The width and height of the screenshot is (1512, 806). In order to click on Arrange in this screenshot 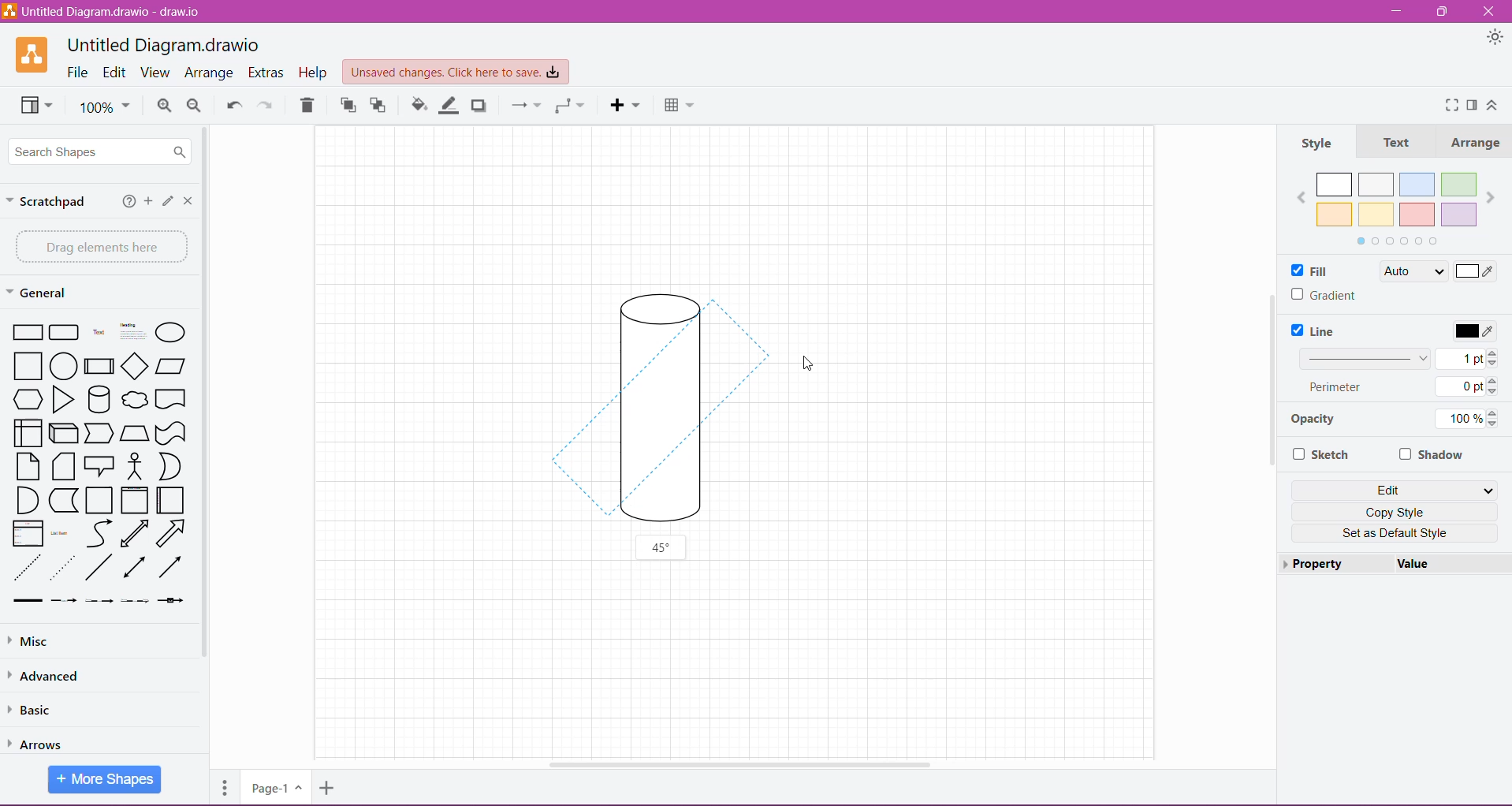, I will do `click(210, 73)`.